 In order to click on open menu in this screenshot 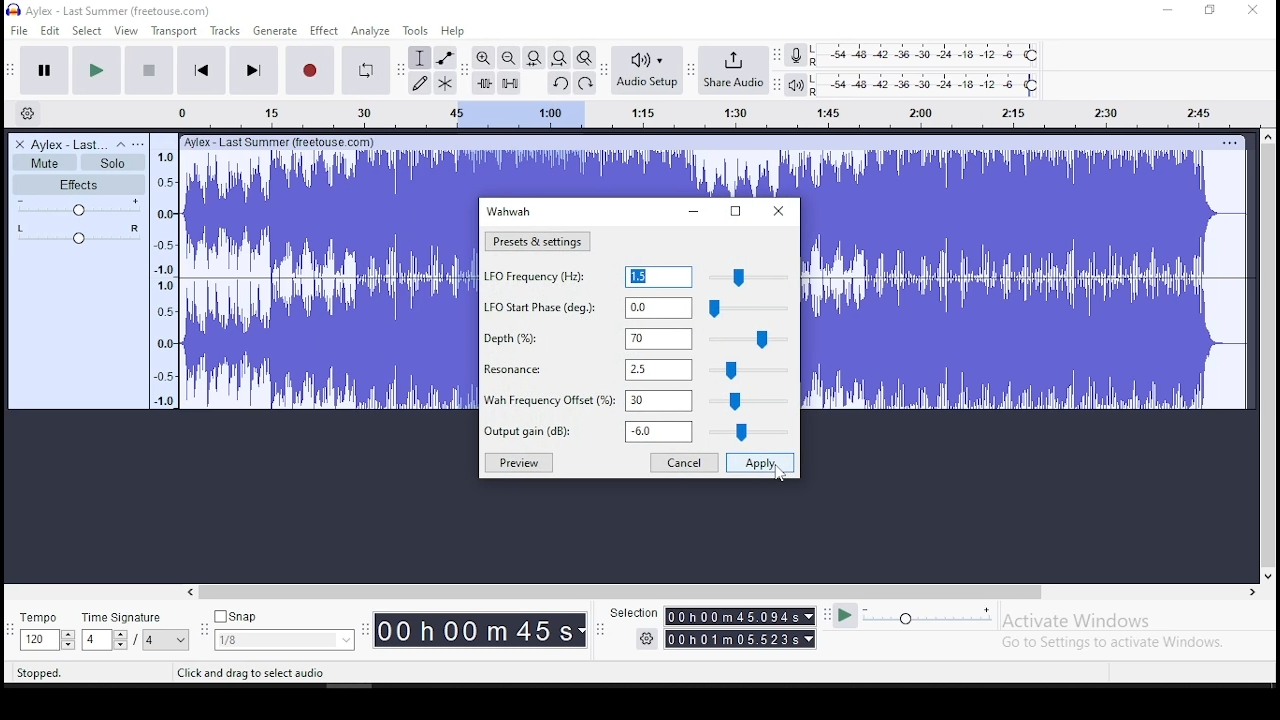, I will do `click(139, 144)`.